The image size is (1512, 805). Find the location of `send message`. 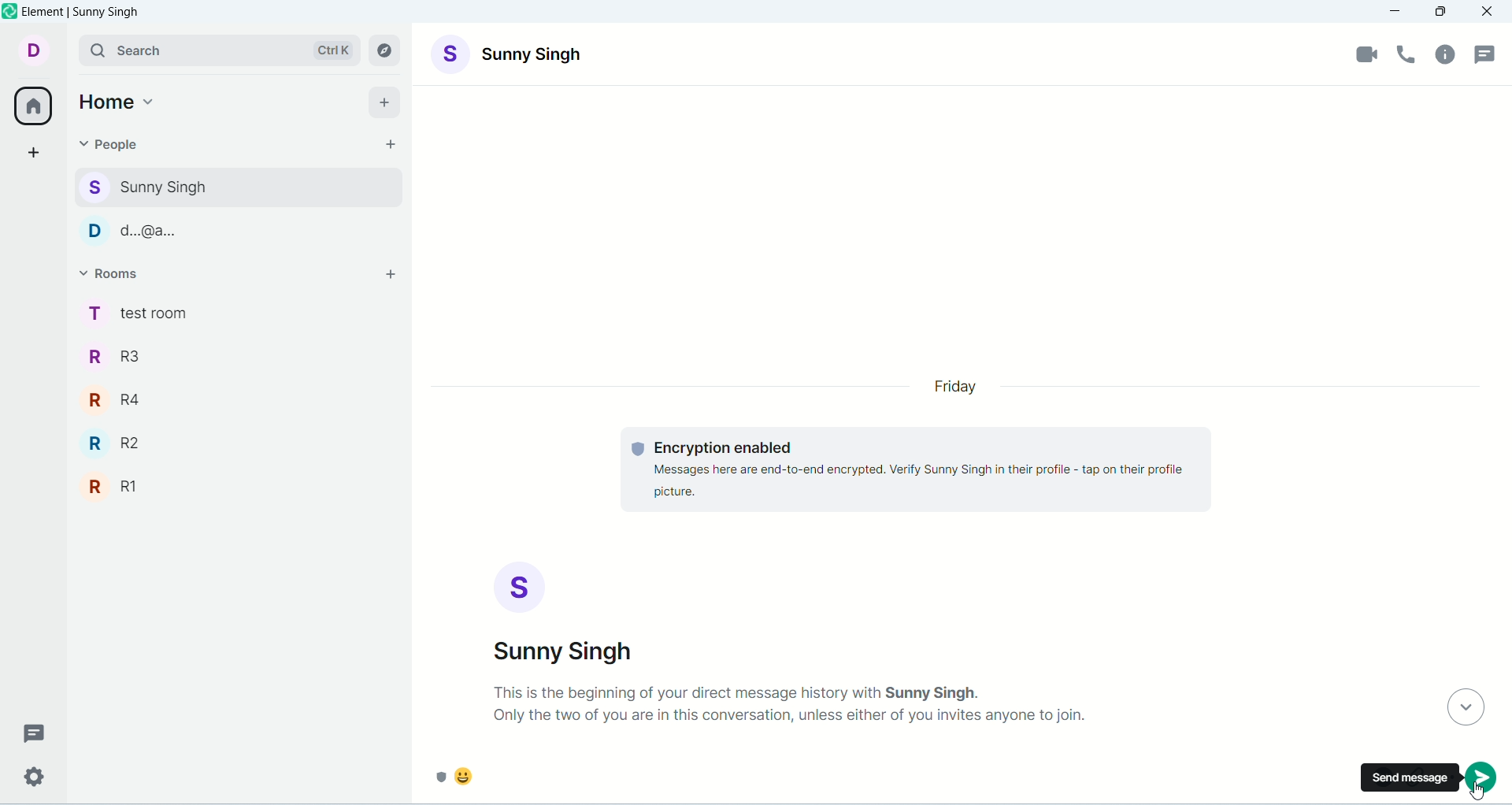

send message is located at coordinates (1481, 777).